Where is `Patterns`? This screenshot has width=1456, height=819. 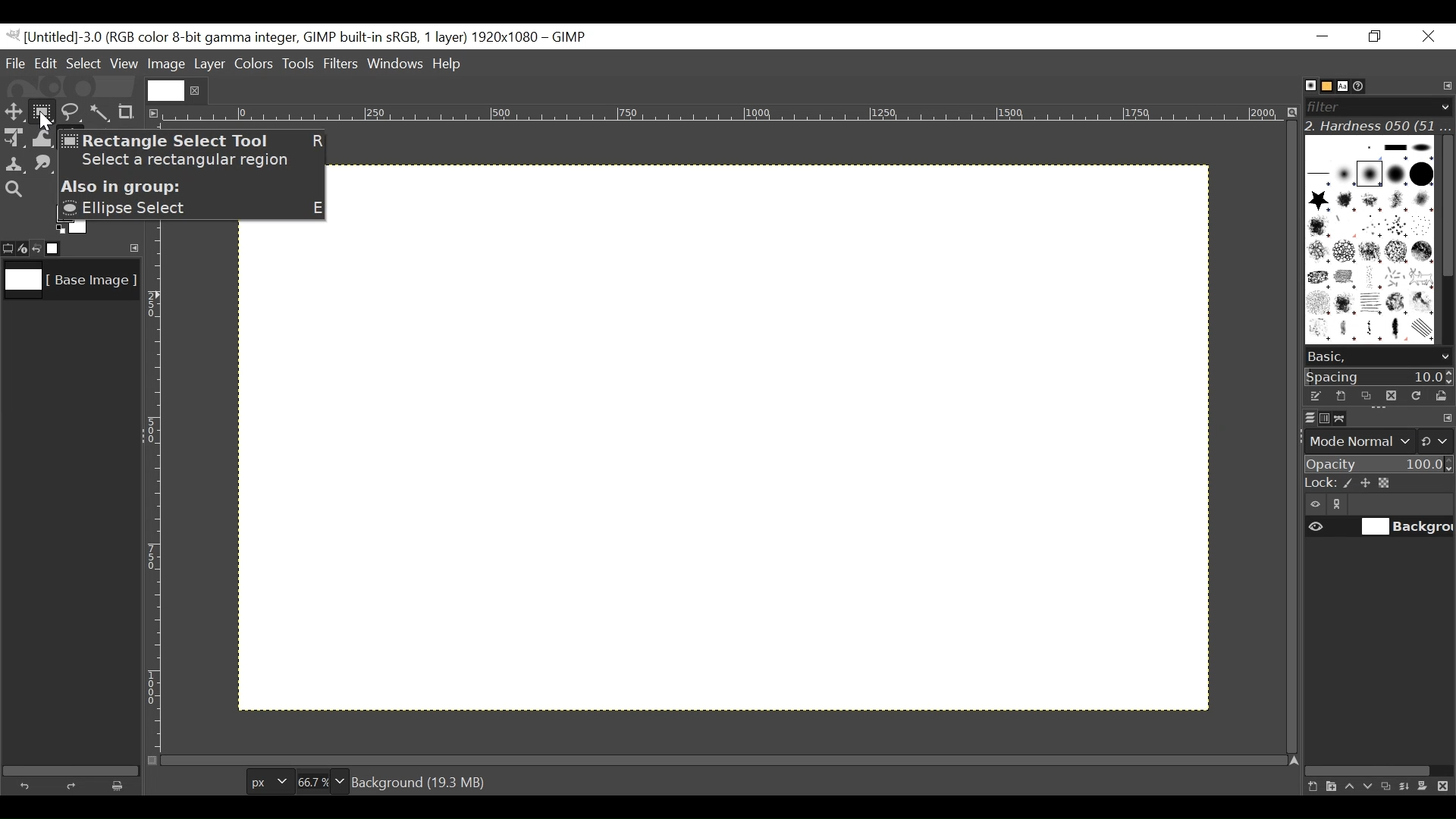
Patterns is located at coordinates (1370, 243).